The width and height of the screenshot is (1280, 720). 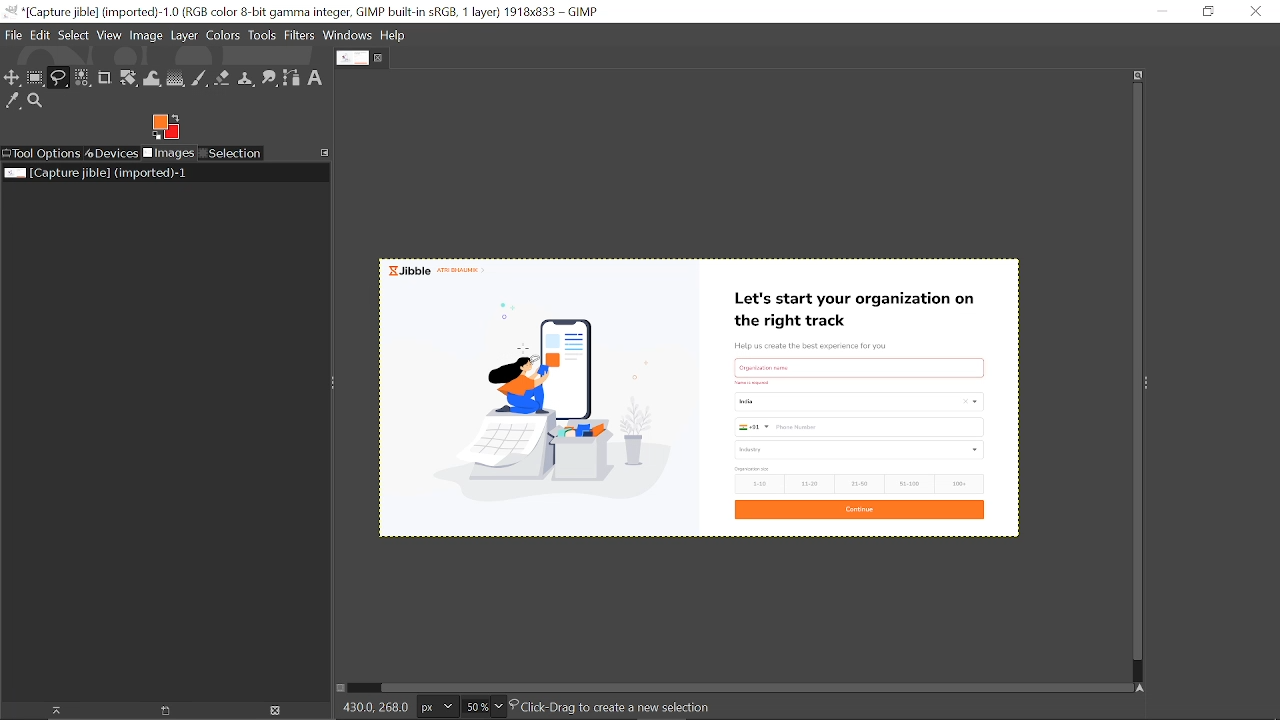 I want to click on Colors, so click(x=222, y=37).